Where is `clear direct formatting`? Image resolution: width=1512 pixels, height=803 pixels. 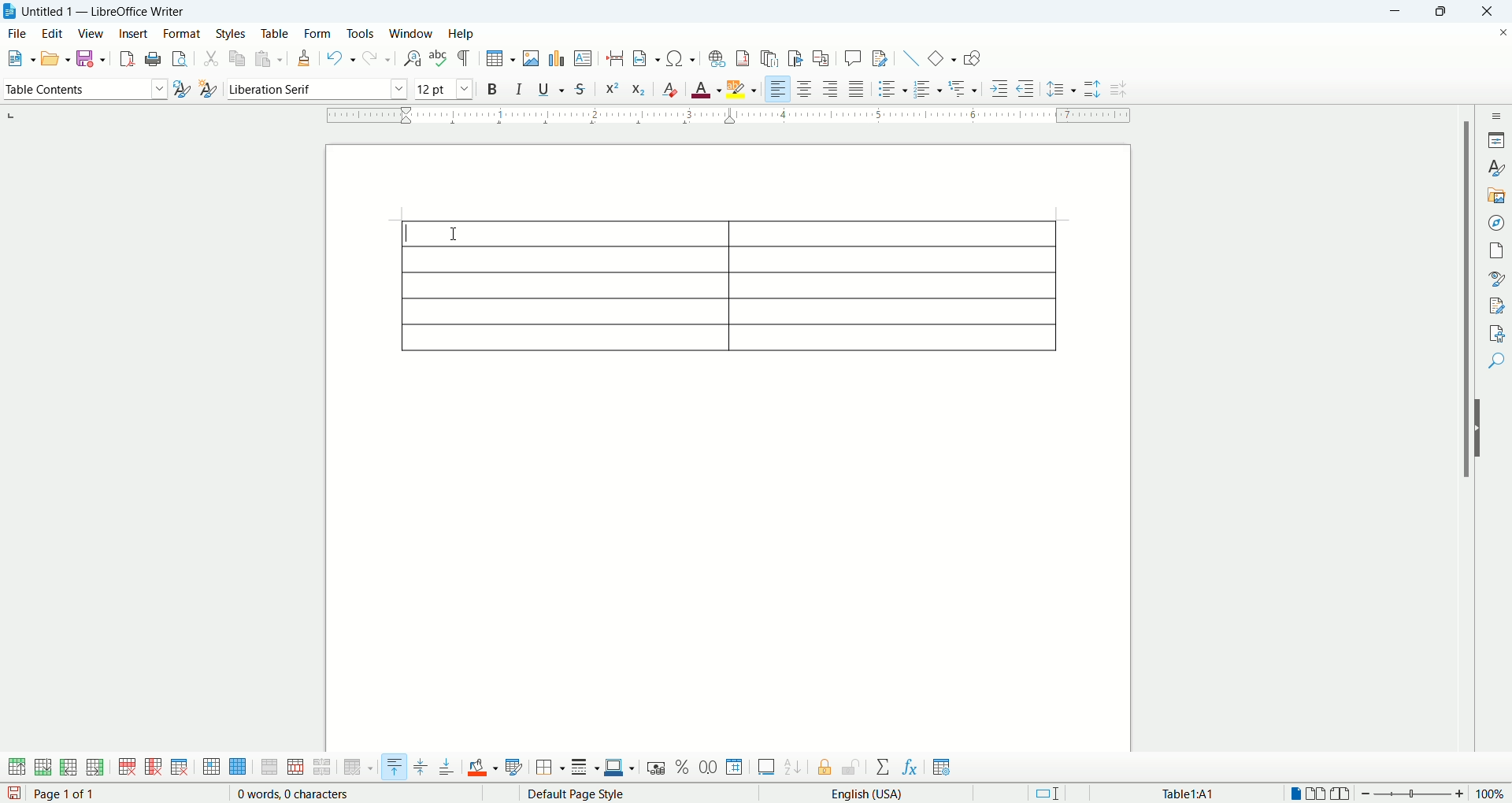 clear direct formatting is located at coordinates (669, 87).